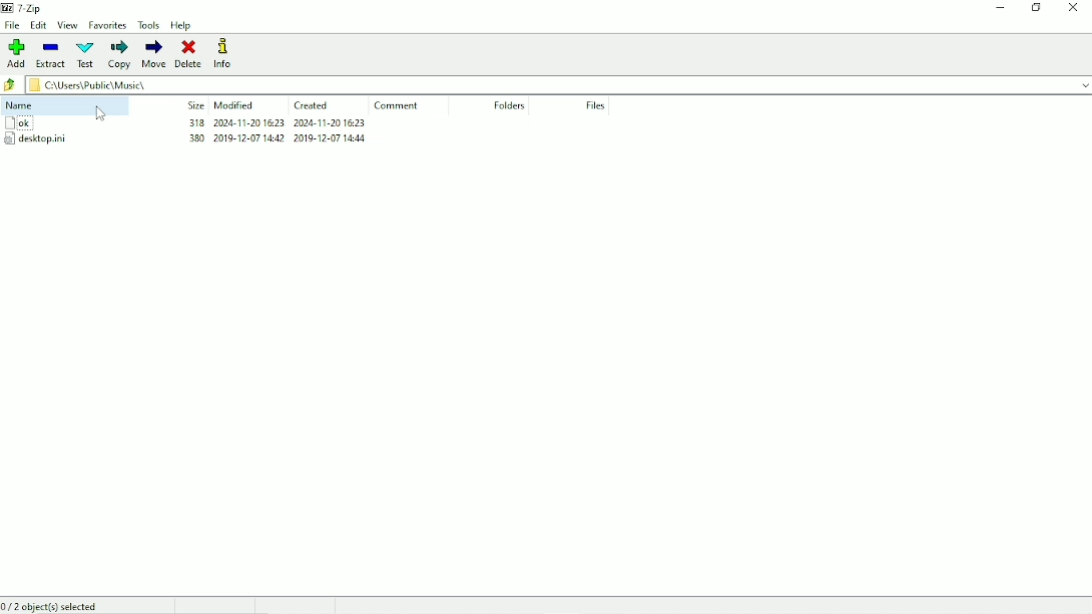 The width and height of the screenshot is (1092, 614). Describe the element at coordinates (401, 106) in the screenshot. I see `Comment` at that location.